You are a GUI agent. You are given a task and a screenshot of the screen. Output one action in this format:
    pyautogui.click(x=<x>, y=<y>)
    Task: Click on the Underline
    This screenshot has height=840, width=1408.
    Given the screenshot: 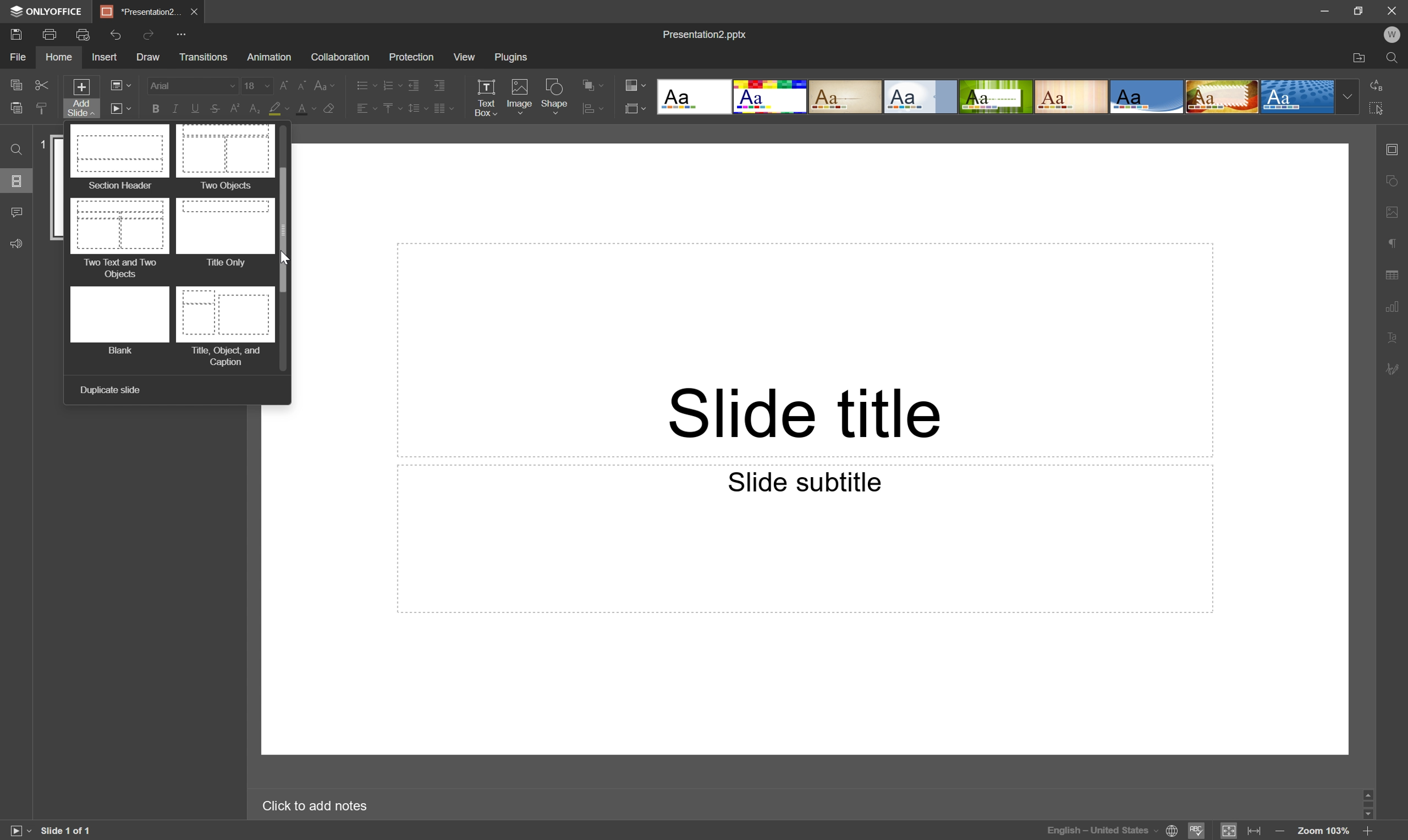 What is the action you would take?
    pyautogui.click(x=193, y=108)
    